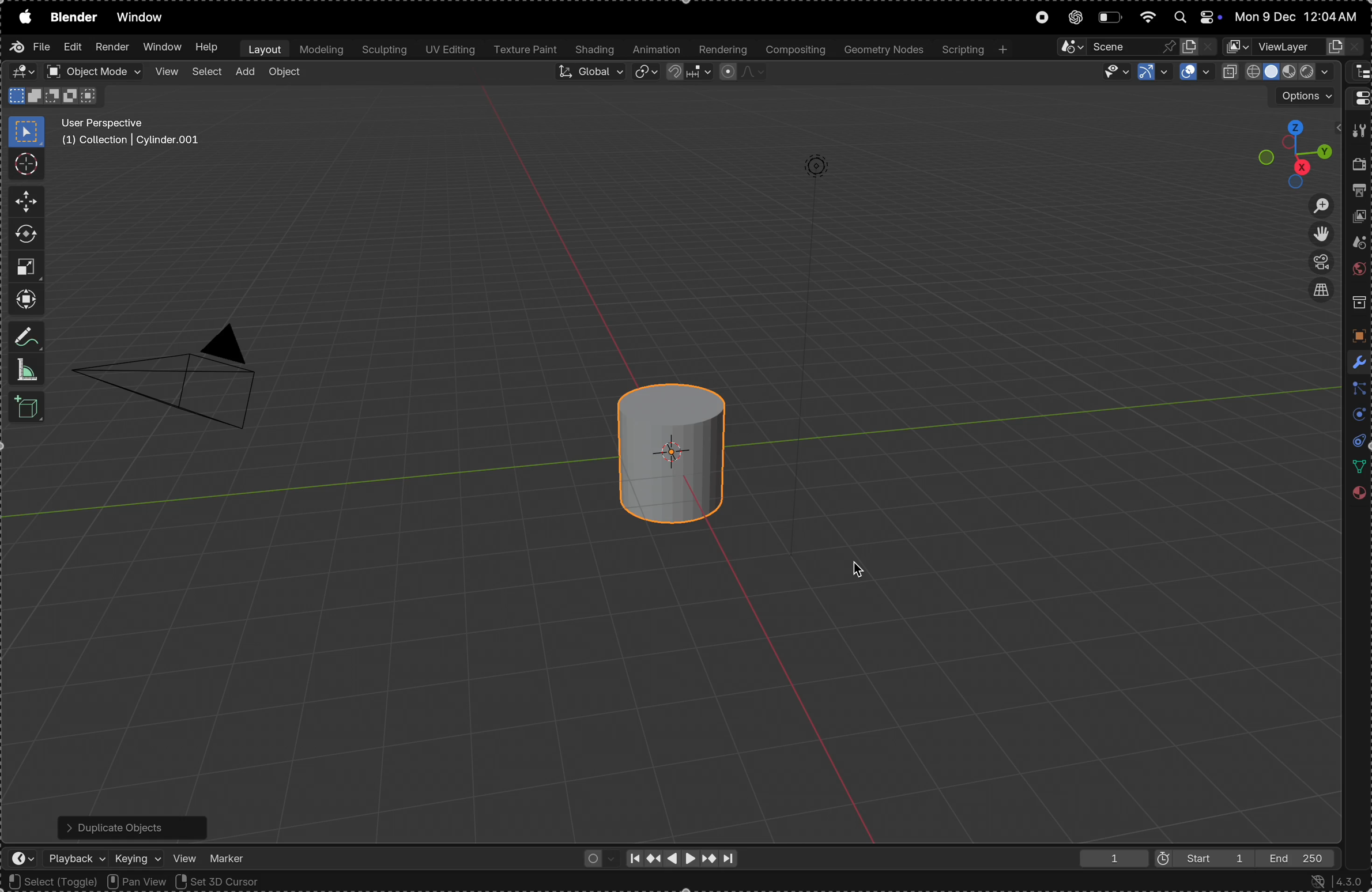 This screenshot has width=1372, height=892. What do you see at coordinates (26, 235) in the screenshot?
I see `rotate` at bounding box center [26, 235].